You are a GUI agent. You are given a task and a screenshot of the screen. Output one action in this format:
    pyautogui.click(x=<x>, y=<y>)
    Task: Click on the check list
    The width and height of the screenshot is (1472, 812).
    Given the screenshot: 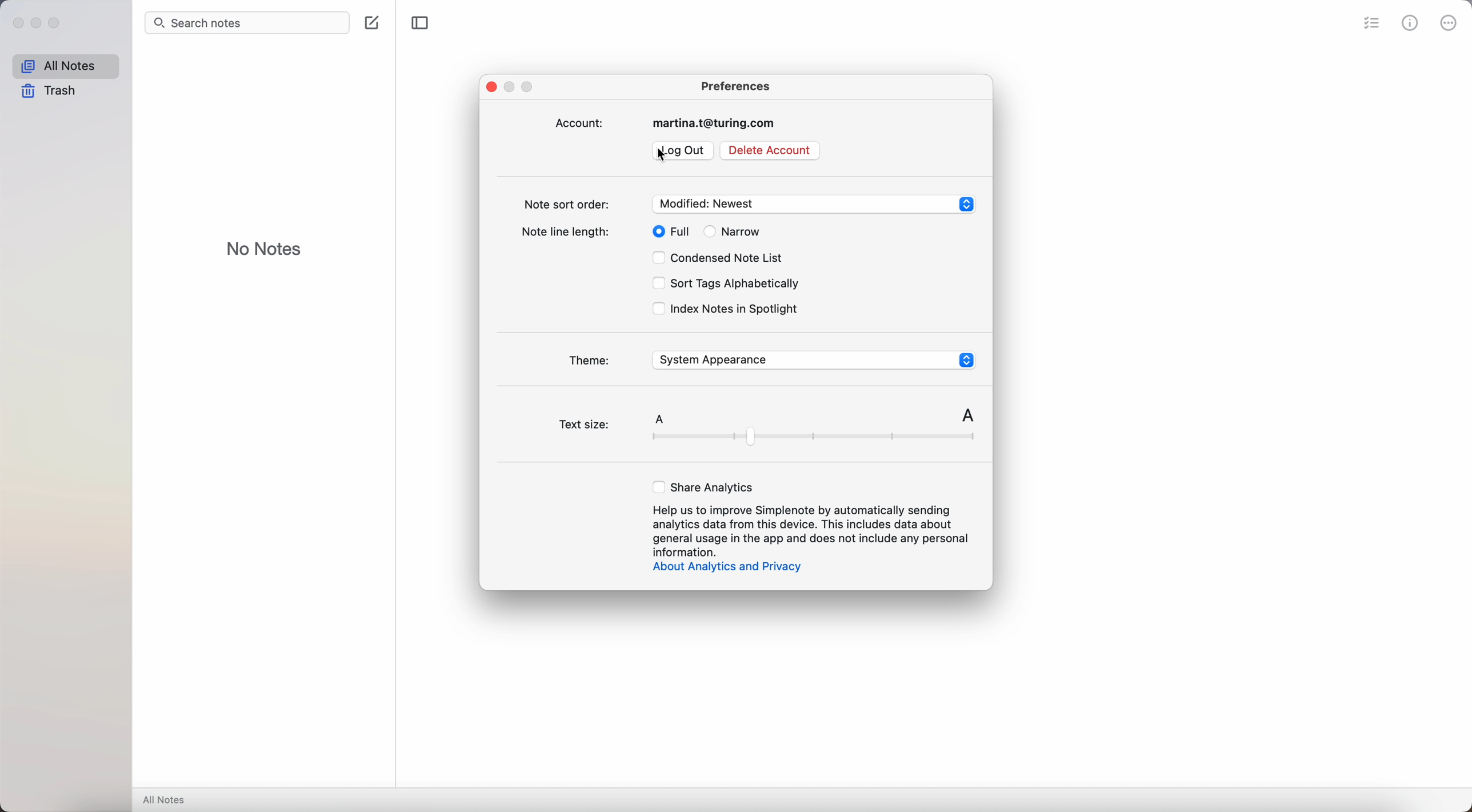 What is the action you would take?
    pyautogui.click(x=1368, y=23)
    